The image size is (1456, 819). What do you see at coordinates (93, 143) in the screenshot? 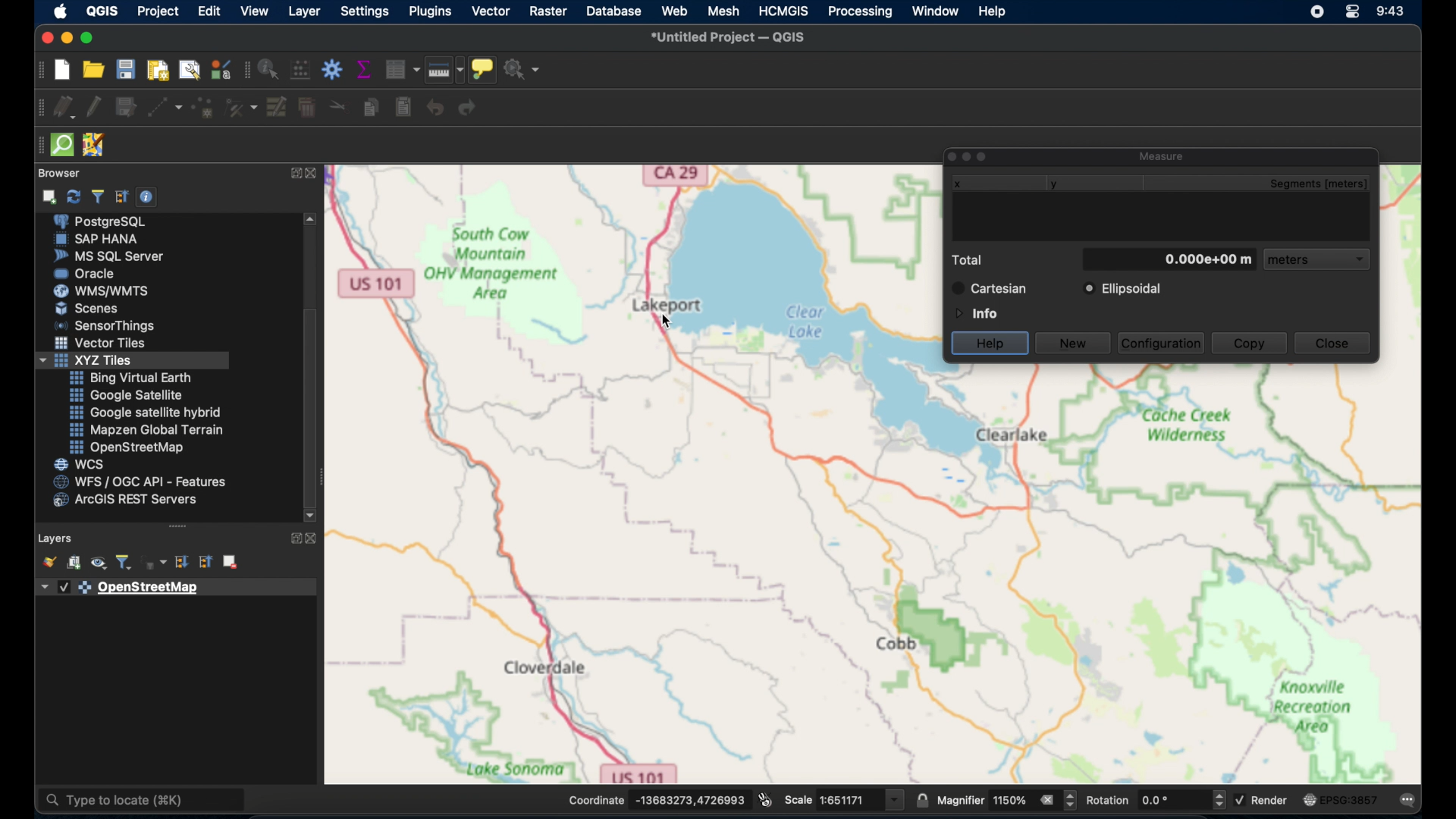
I see `JSOM remote` at bounding box center [93, 143].